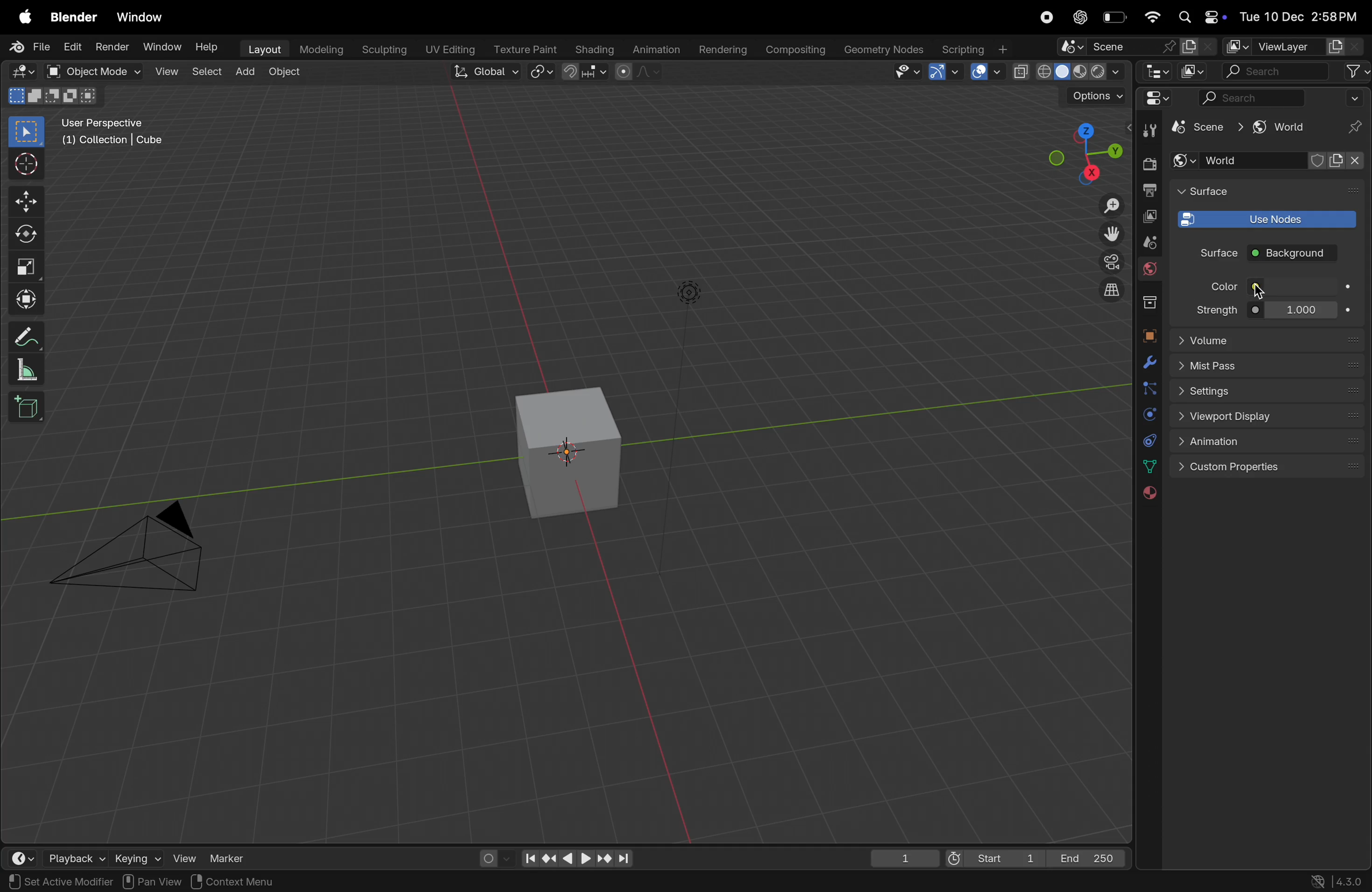 The image size is (1372, 892). Describe the element at coordinates (1067, 73) in the screenshot. I see `view shading` at that location.